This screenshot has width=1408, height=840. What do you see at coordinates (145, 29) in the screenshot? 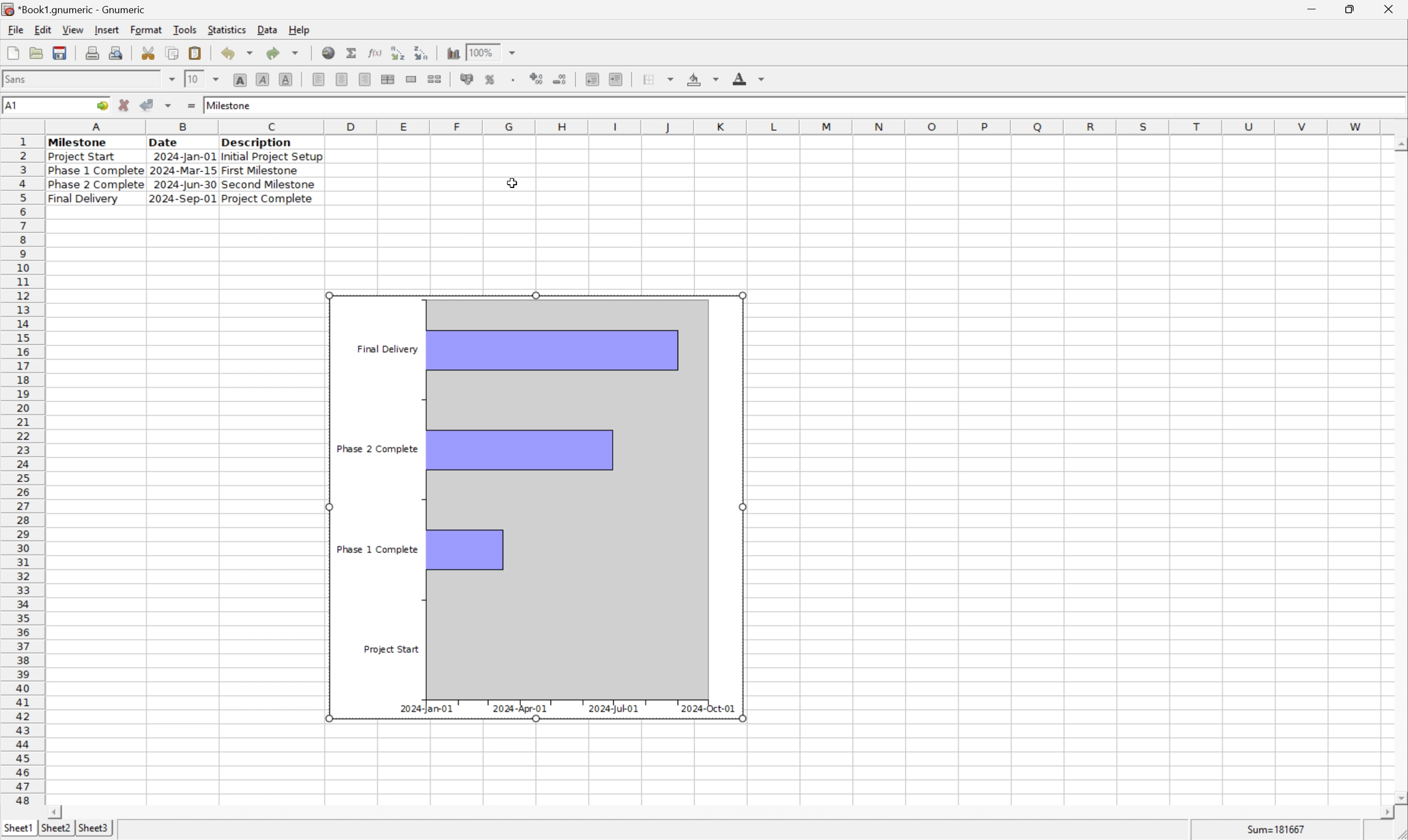
I see `format` at bounding box center [145, 29].